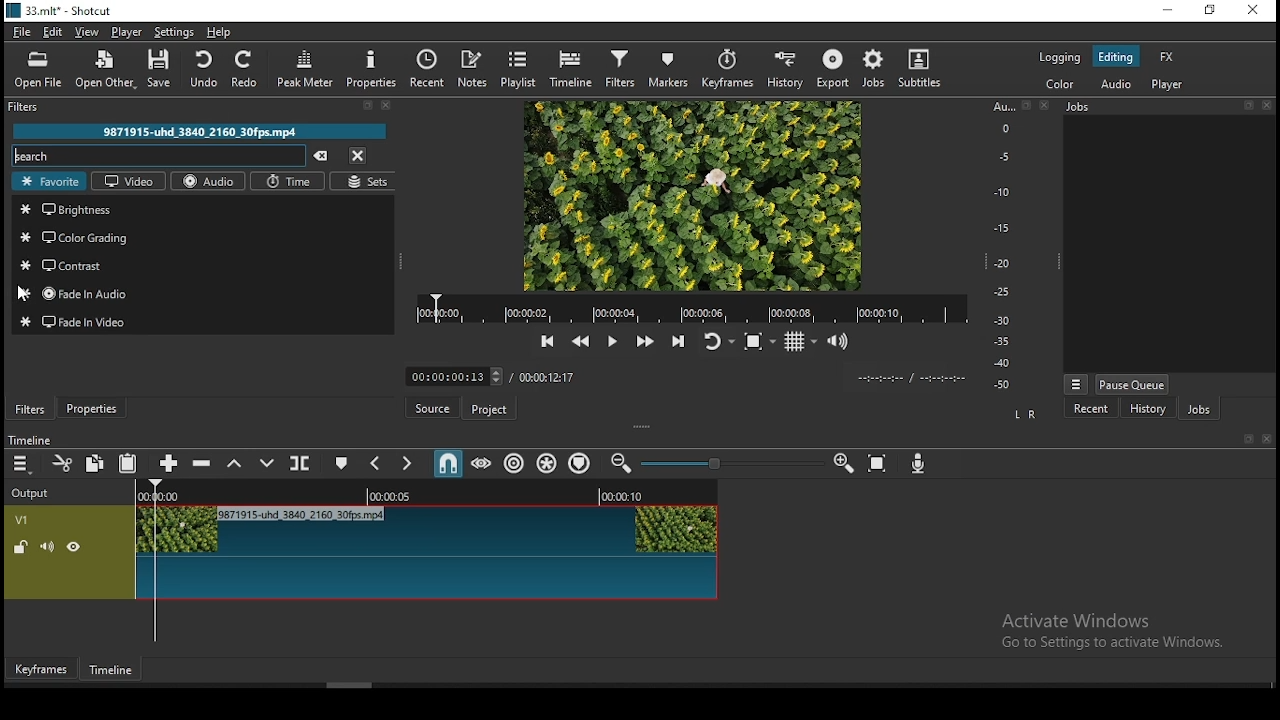 The image size is (1280, 720). I want to click on close, so click(1267, 440).